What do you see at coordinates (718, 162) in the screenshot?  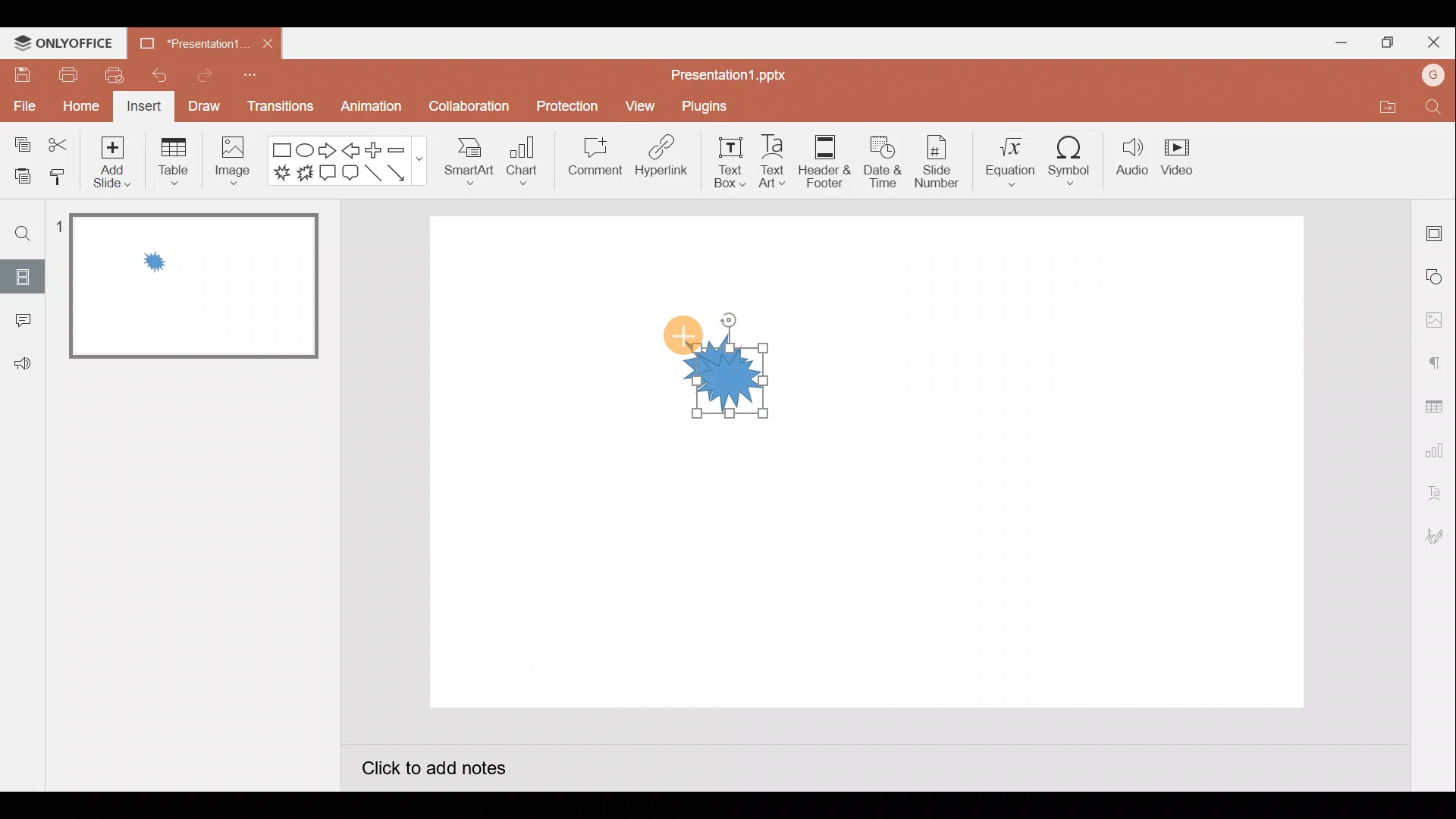 I see `Text box` at bounding box center [718, 162].